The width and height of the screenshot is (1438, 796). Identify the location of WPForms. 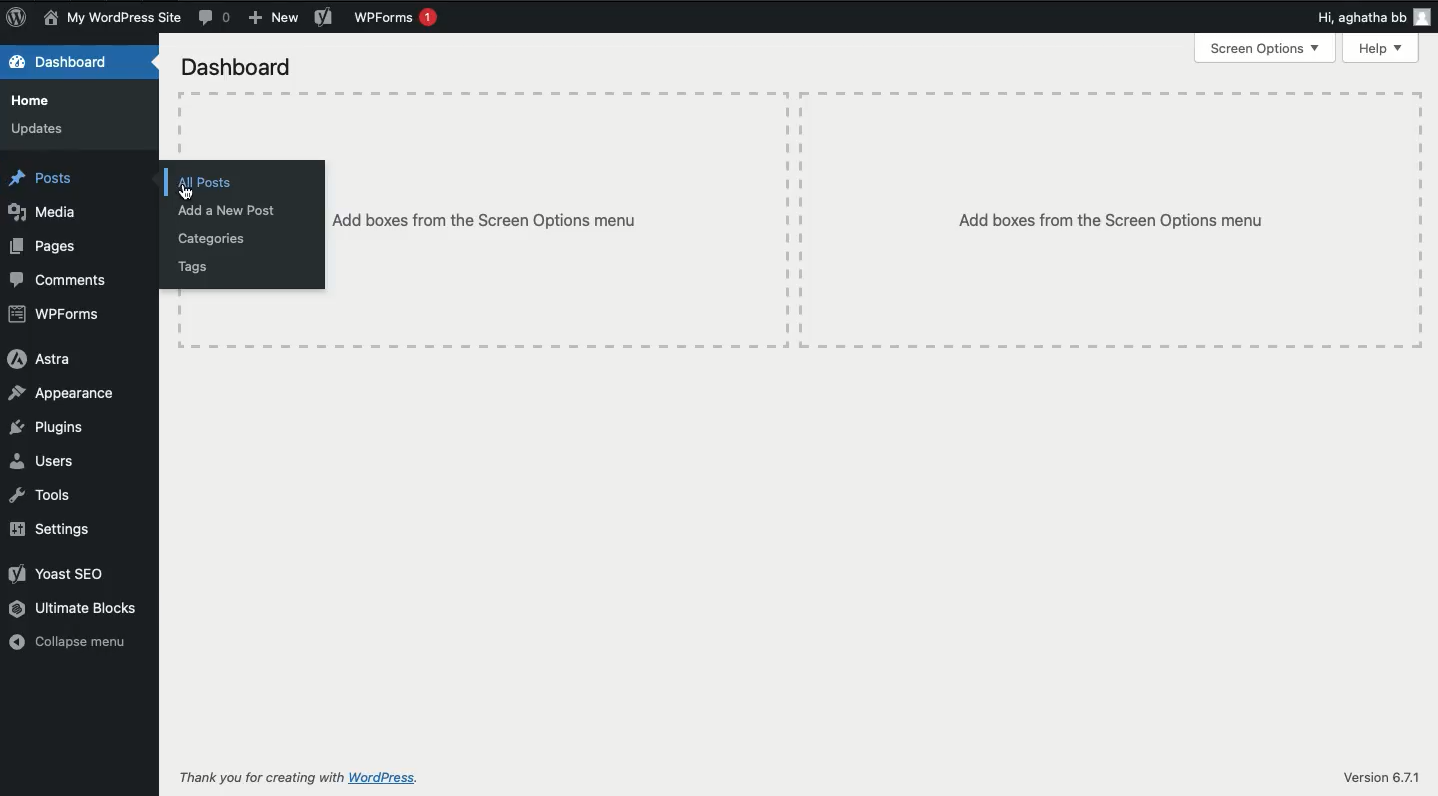
(58, 315).